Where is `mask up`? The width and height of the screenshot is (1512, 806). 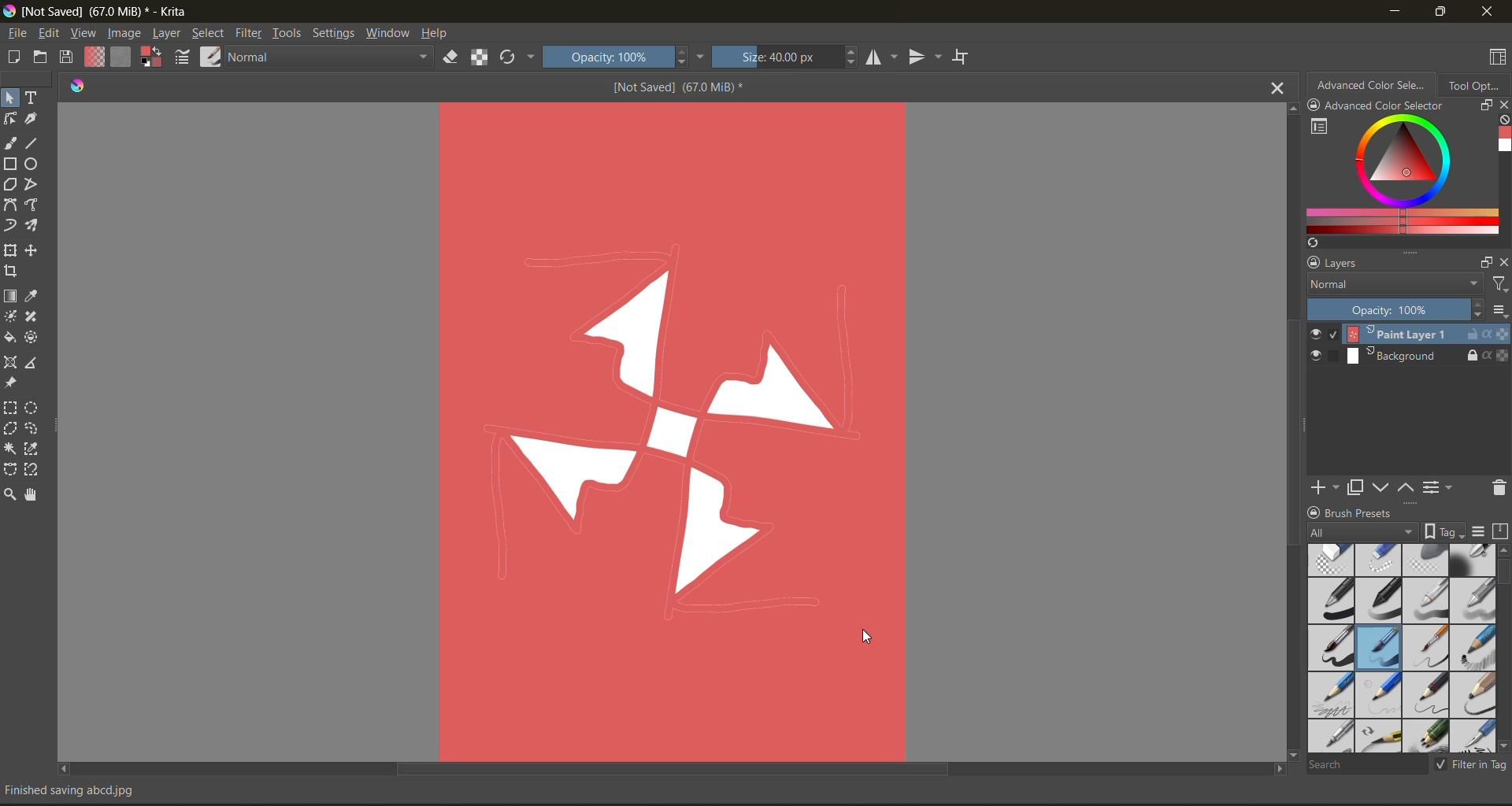 mask up is located at coordinates (1408, 486).